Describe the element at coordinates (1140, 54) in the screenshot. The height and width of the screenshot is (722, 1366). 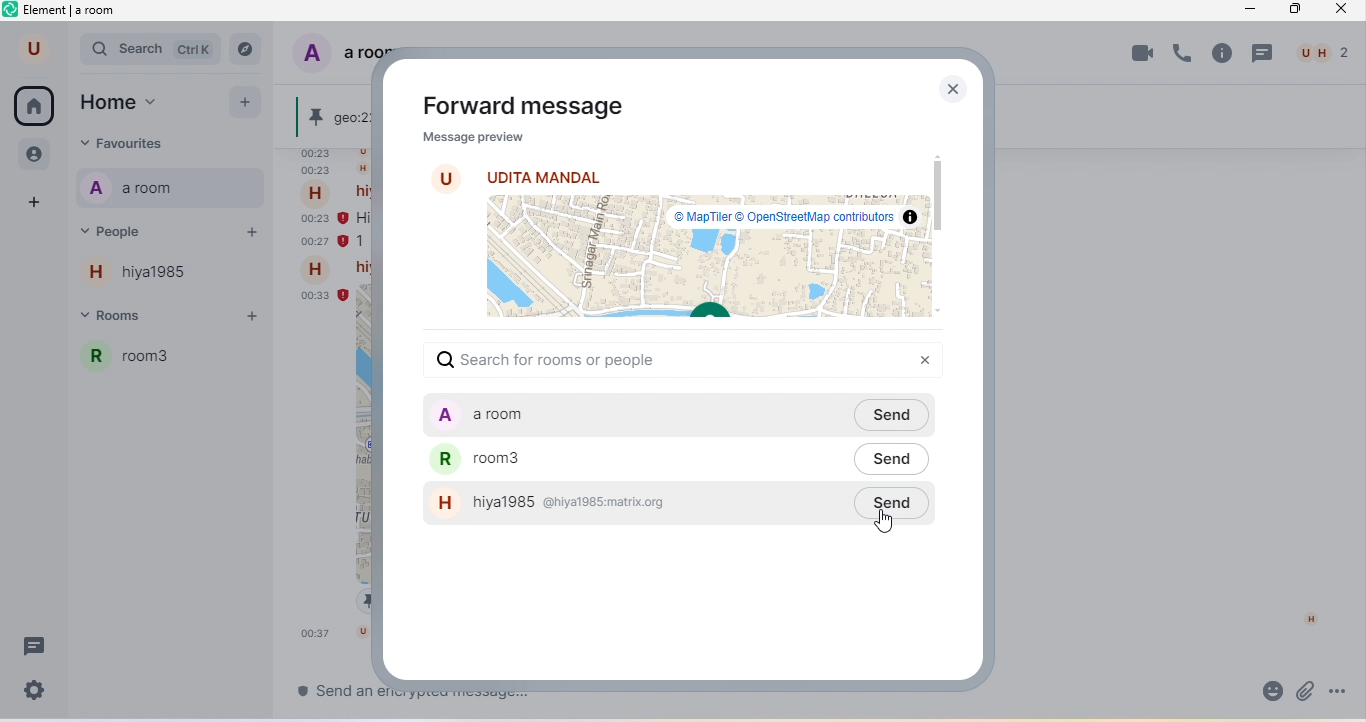
I see `video call` at that location.